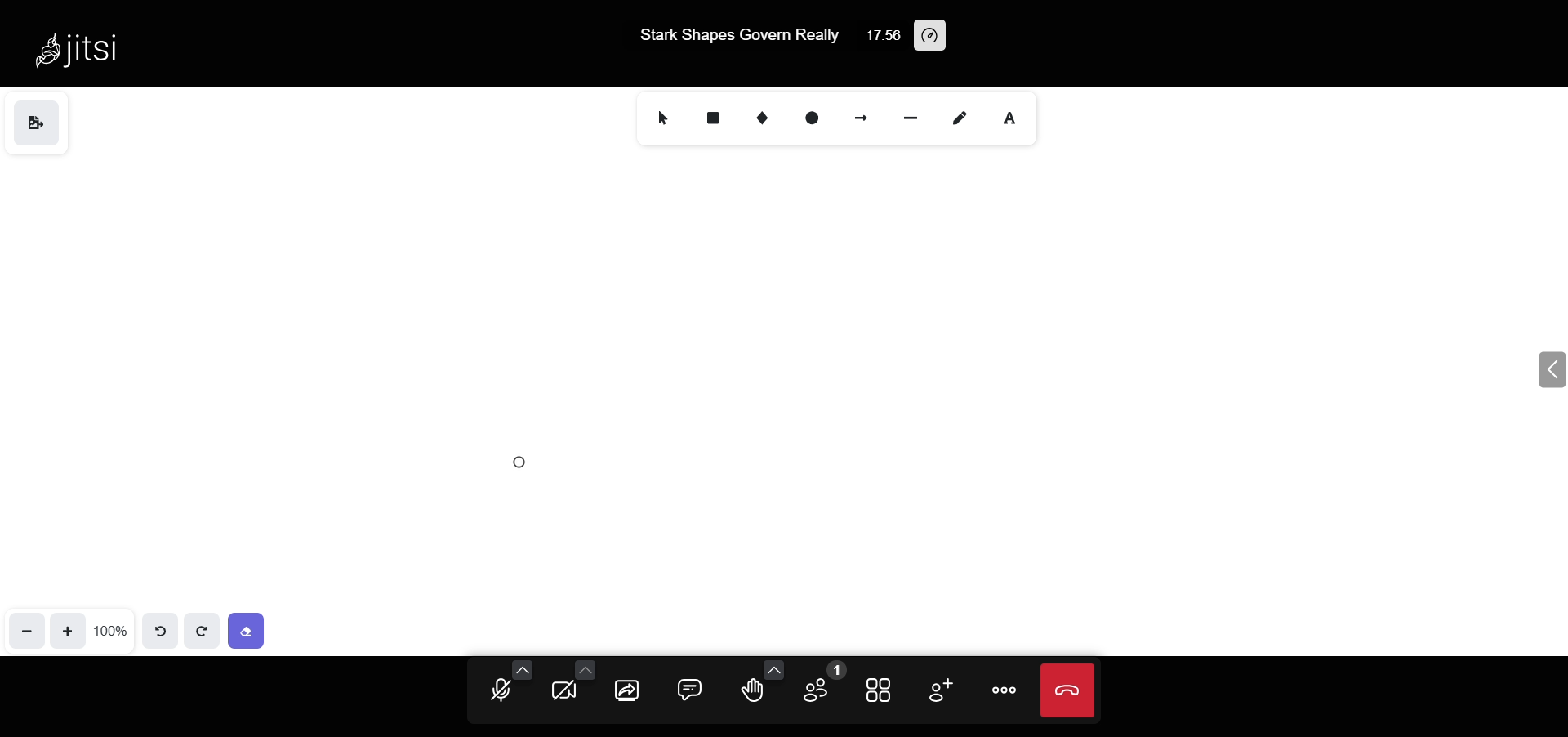 The height and width of the screenshot is (737, 1568). I want to click on raise hand, so click(750, 694).